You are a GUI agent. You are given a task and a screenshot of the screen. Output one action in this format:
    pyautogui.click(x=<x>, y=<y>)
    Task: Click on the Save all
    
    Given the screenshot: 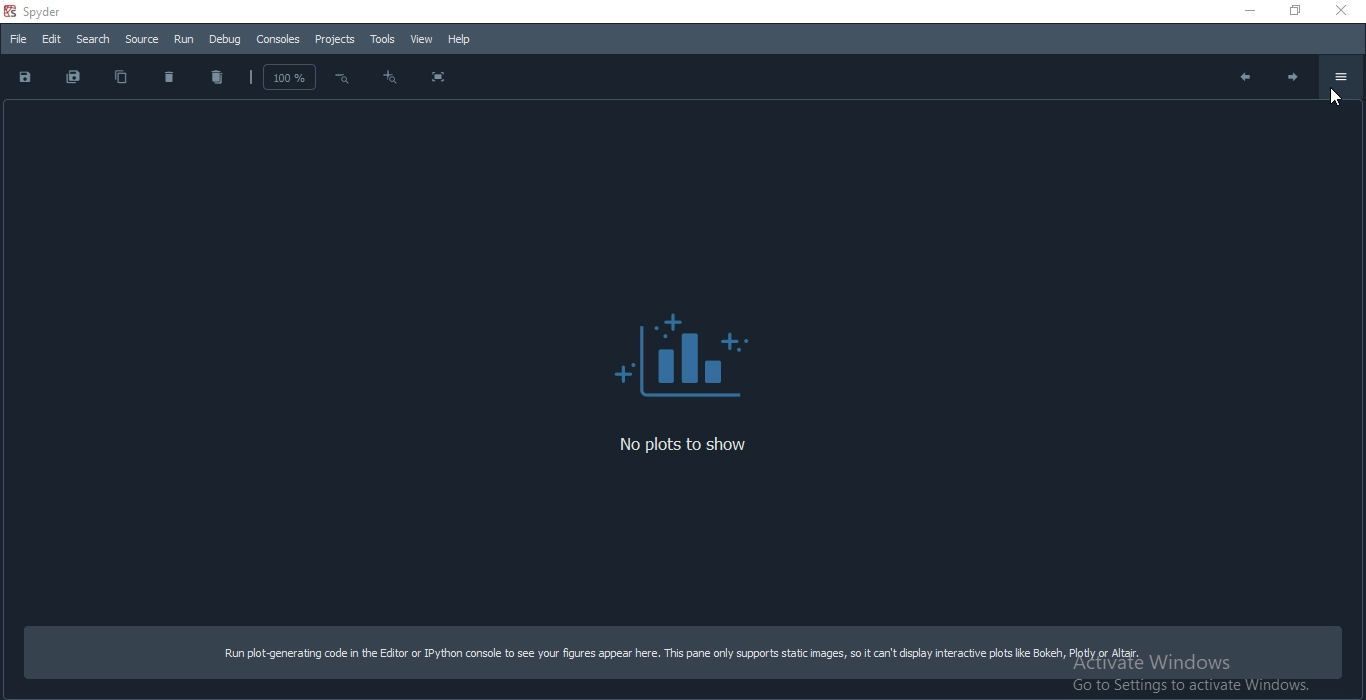 What is the action you would take?
    pyautogui.click(x=74, y=78)
    